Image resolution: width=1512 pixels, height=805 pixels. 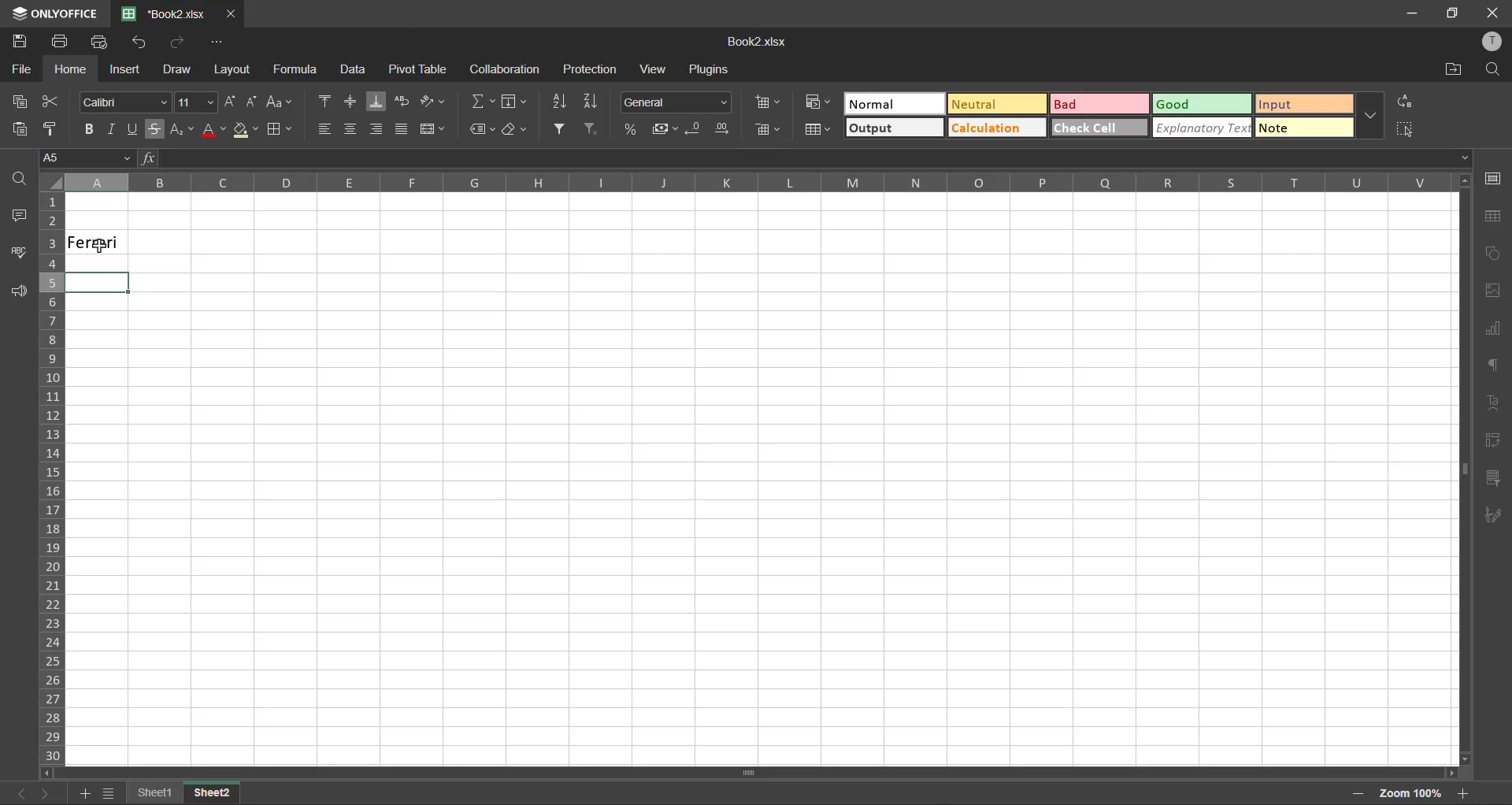 I want to click on redo, so click(x=182, y=42).